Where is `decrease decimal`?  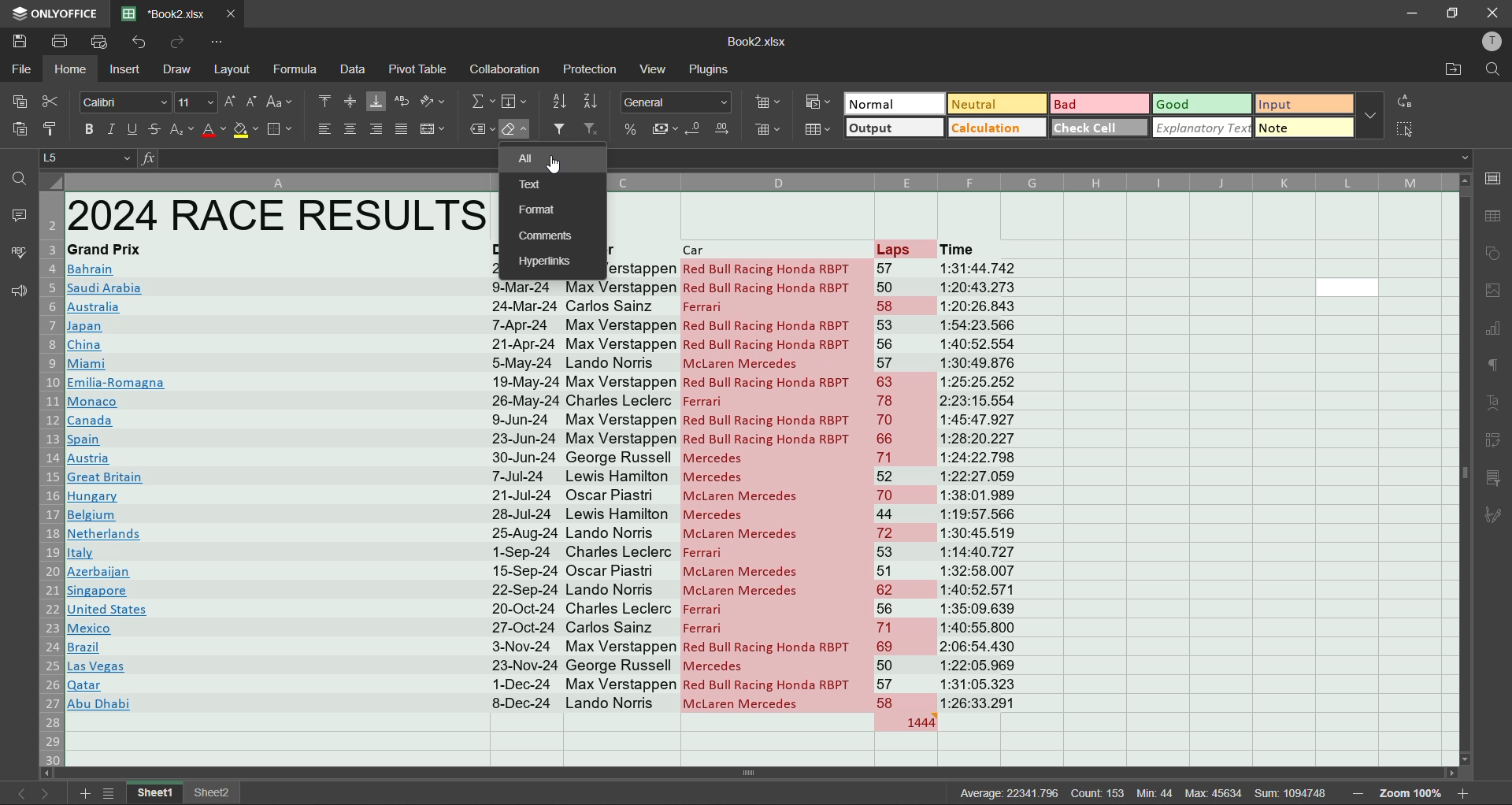 decrease decimal is located at coordinates (696, 132).